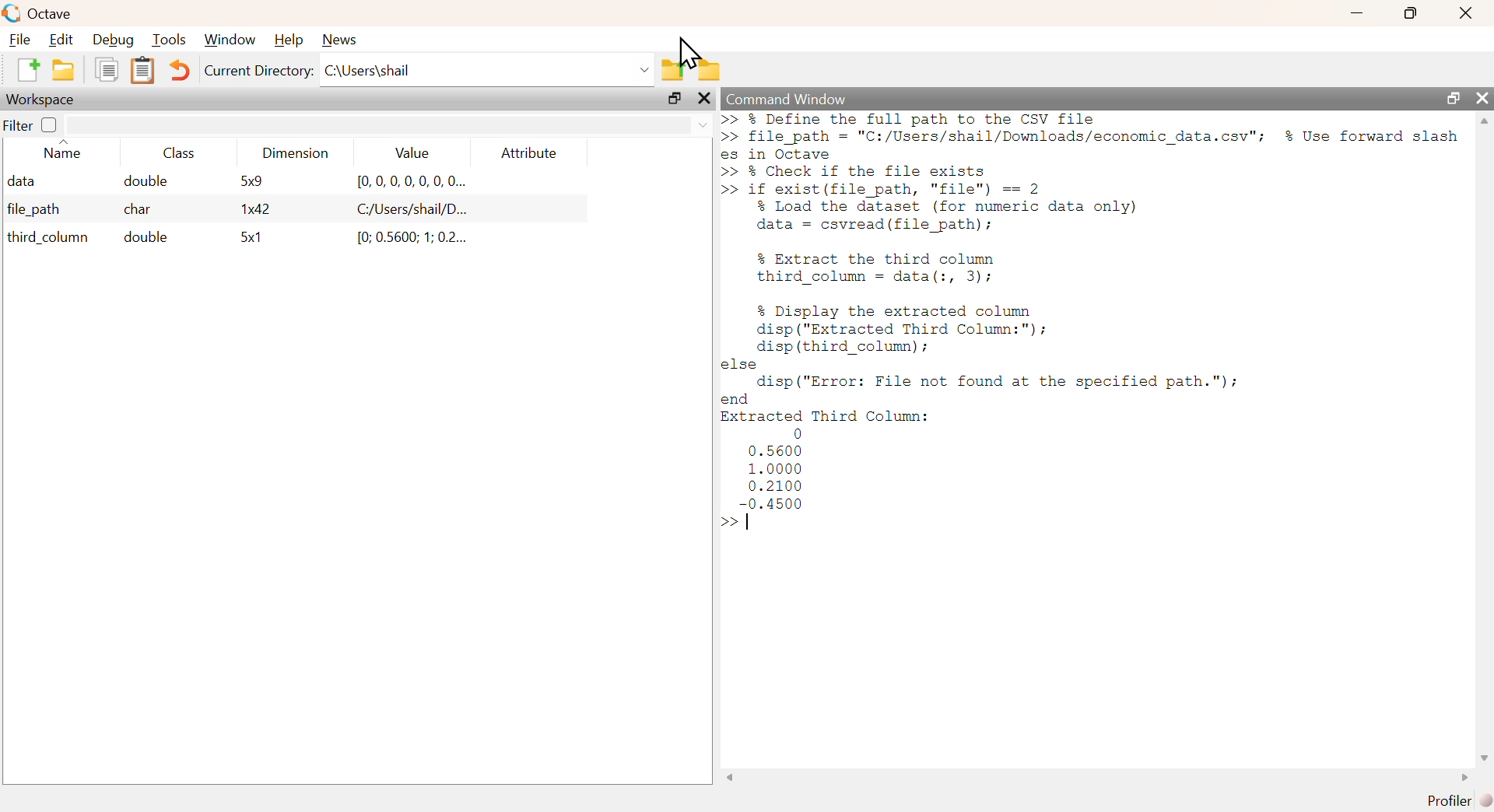 This screenshot has width=1494, height=812. What do you see at coordinates (1098, 777) in the screenshot?
I see `horizontal scroll bar` at bounding box center [1098, 777].